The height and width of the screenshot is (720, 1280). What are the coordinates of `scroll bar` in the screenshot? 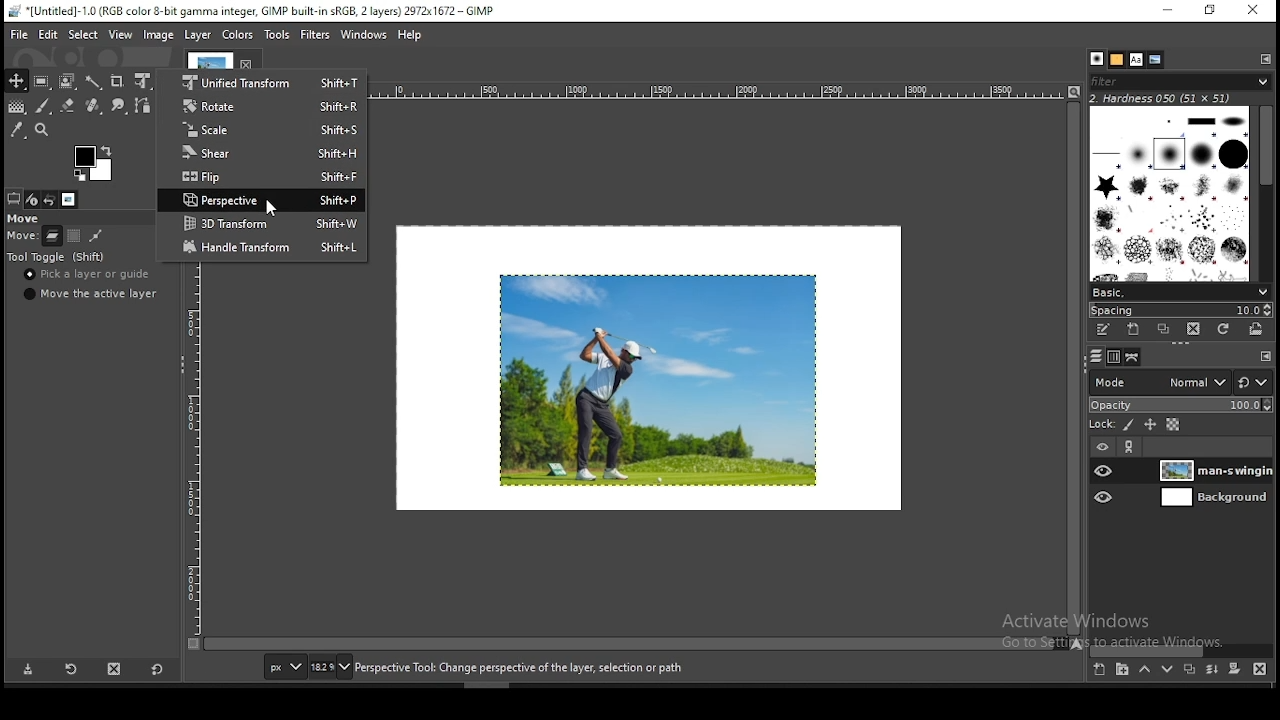 It's located at (1265, 194).